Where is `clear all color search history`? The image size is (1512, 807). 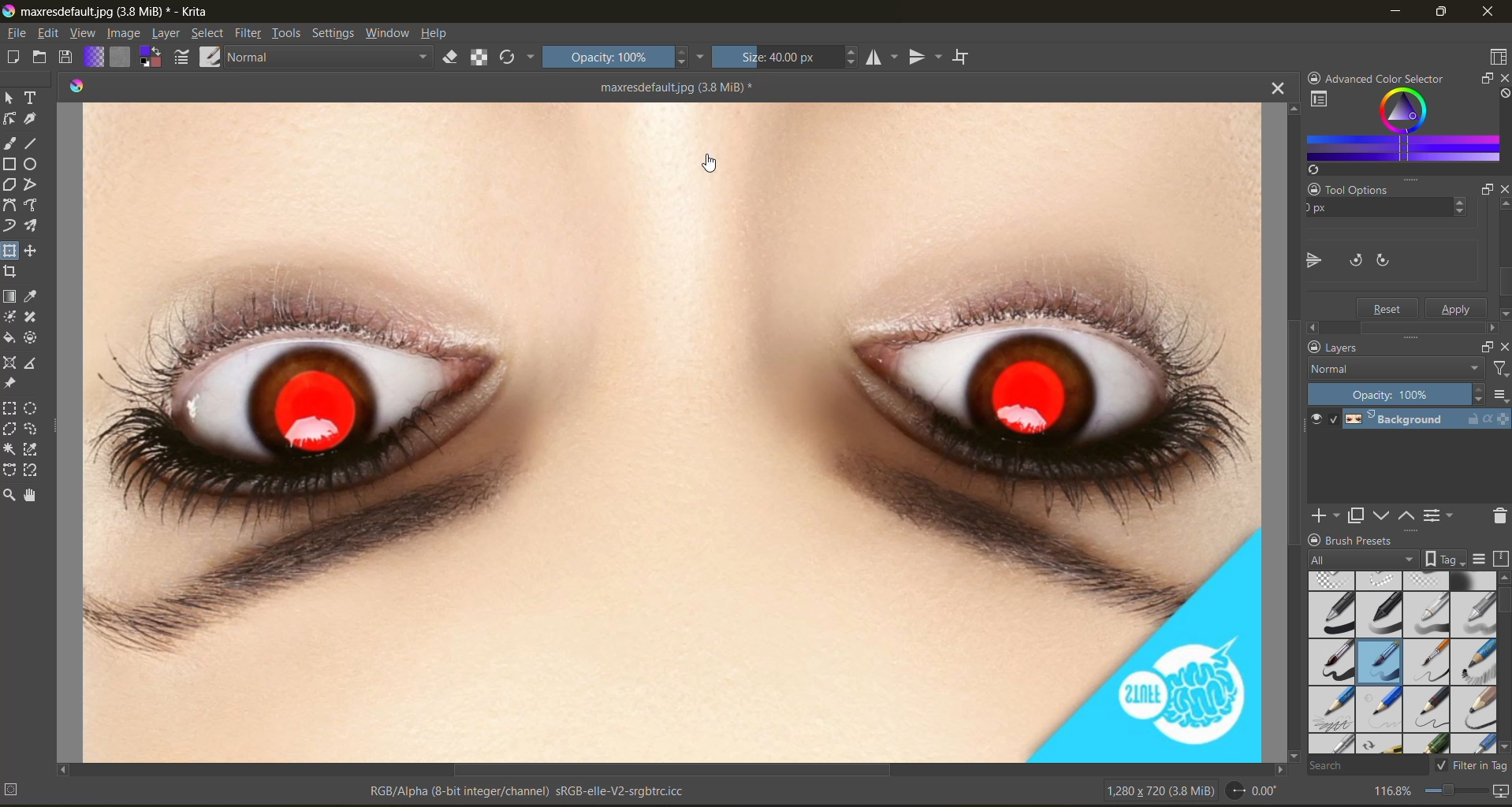
clear all color search history is located at coordinates (1503, 94).